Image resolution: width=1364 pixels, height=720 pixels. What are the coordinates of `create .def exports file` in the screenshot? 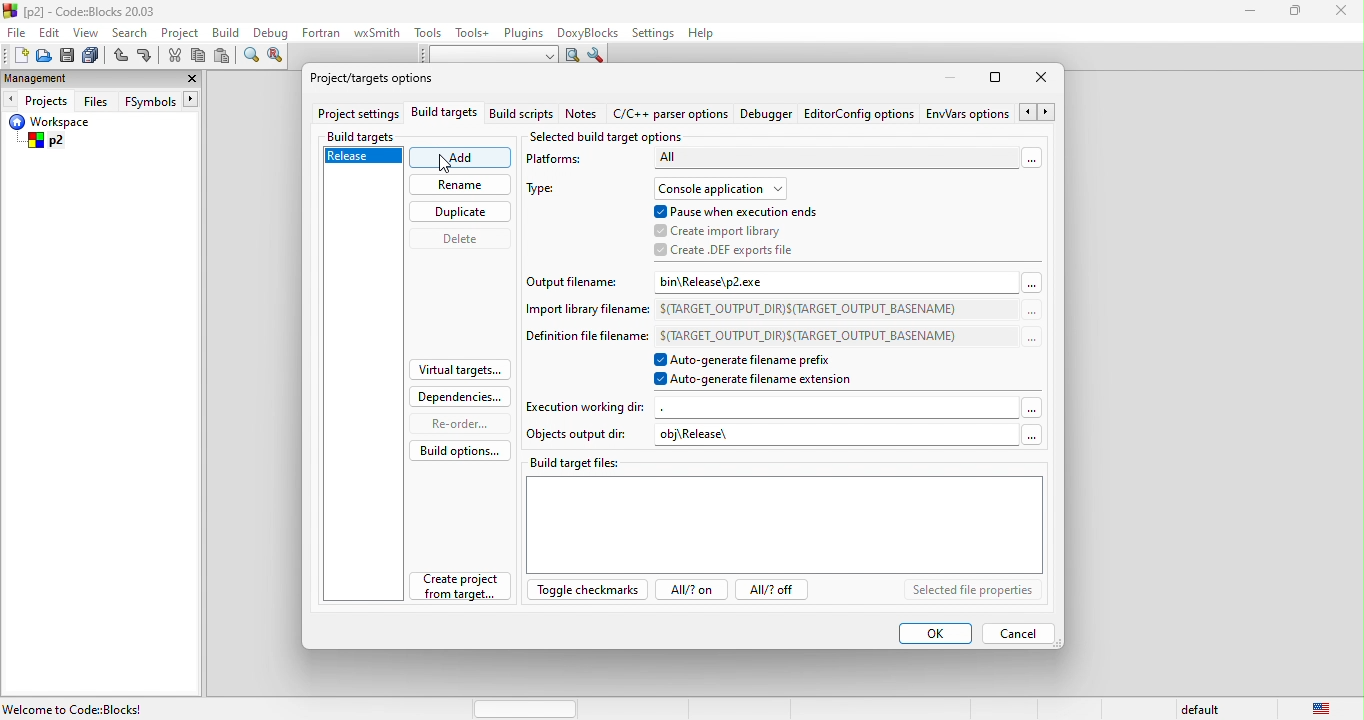 It's located at (735, 251).